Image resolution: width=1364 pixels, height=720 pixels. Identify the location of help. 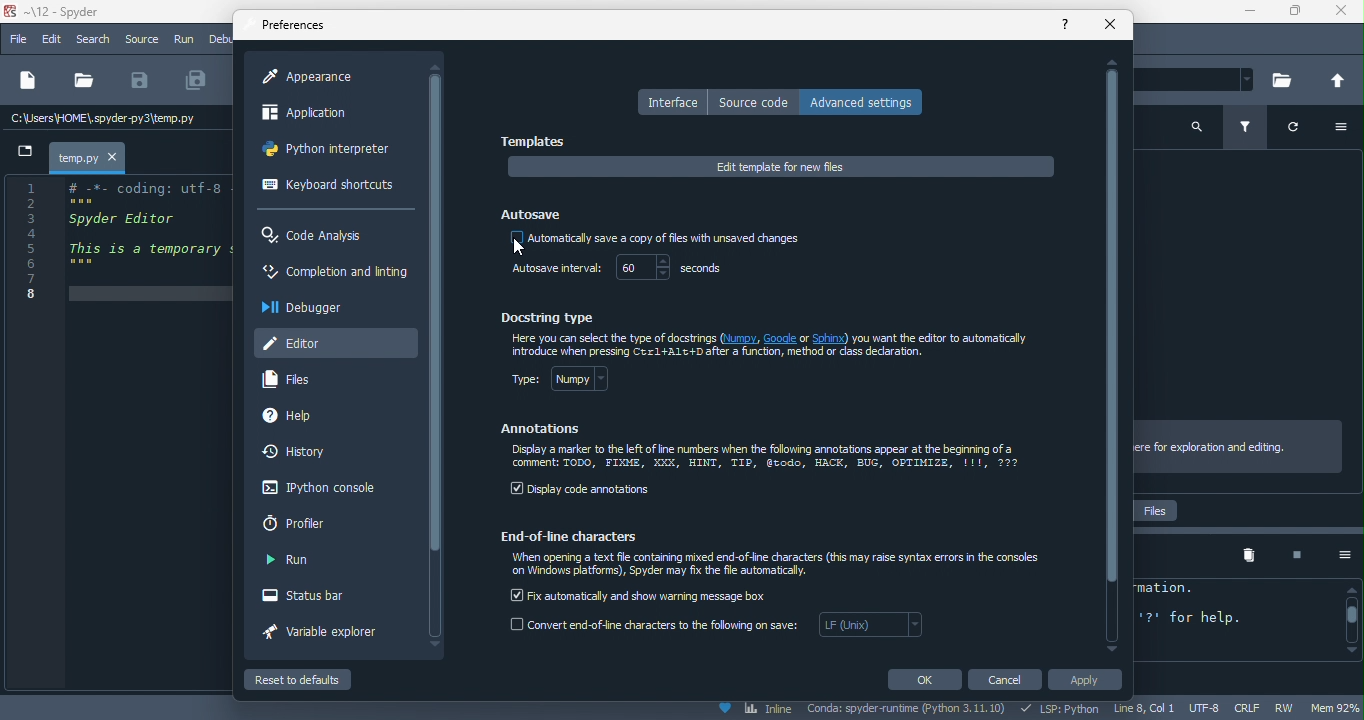
(308, 417).